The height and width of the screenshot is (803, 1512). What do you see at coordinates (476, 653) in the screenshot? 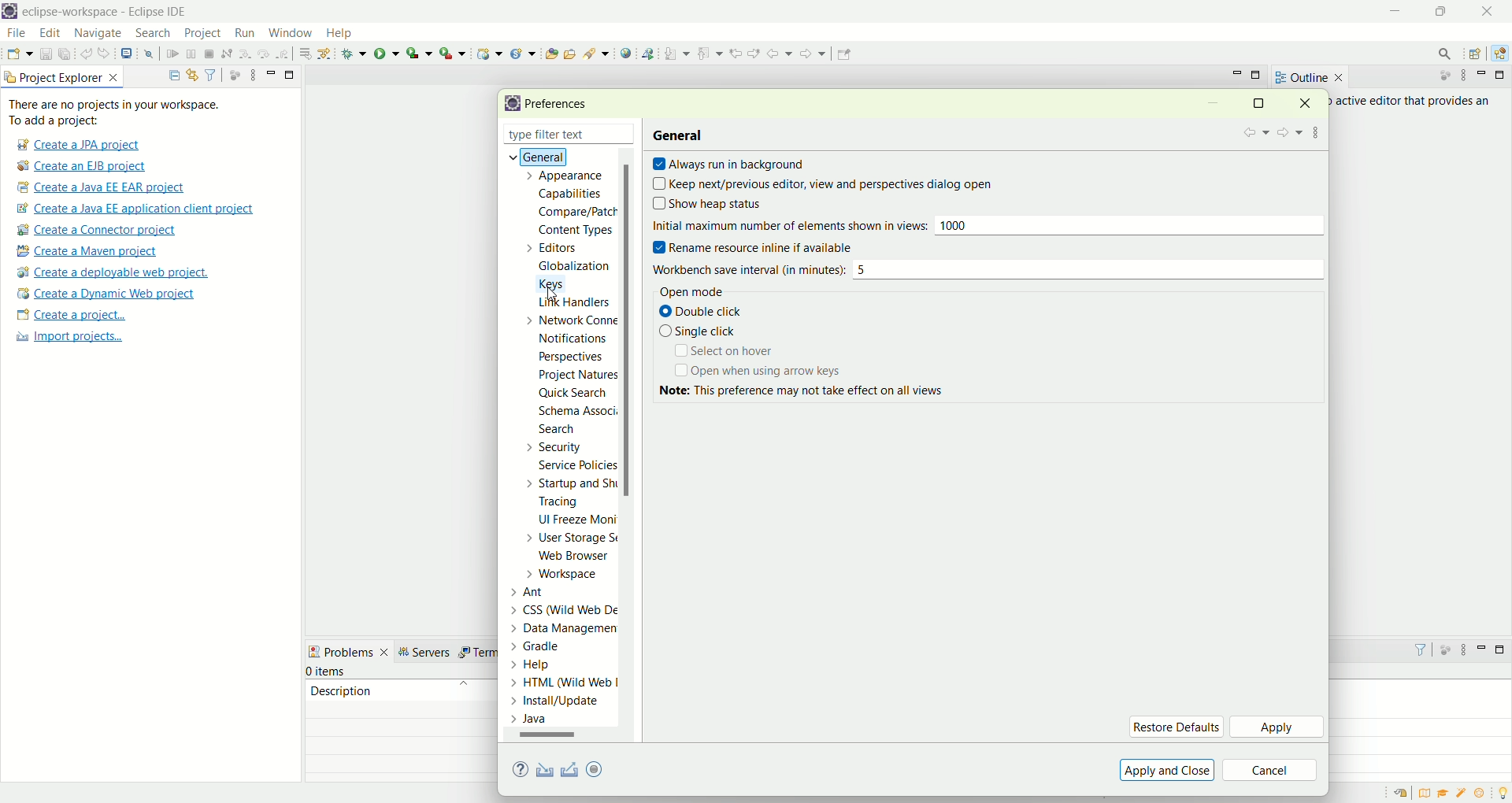
I see `term` at bounding box center [476, 653].